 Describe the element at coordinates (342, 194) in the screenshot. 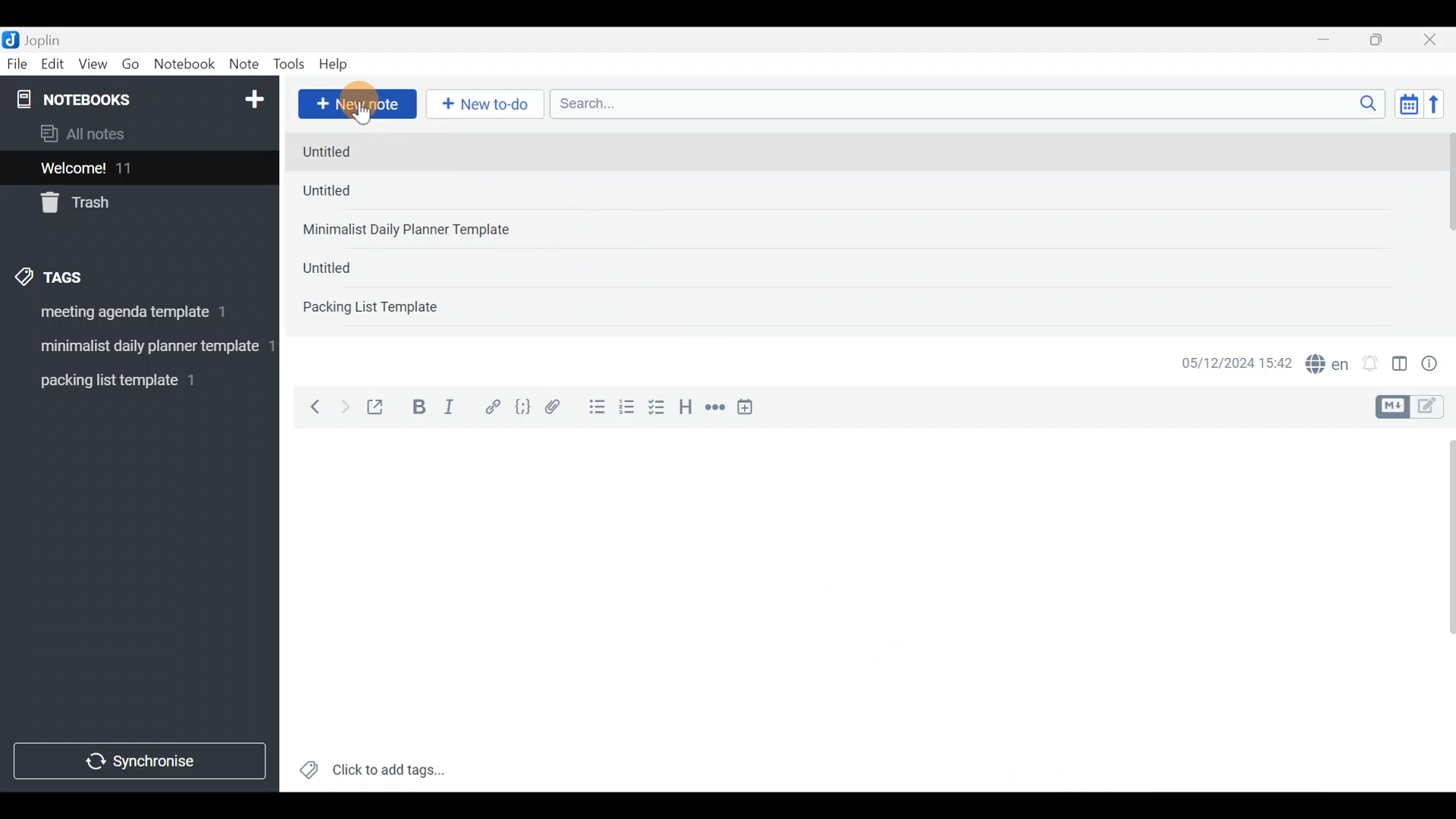

I see `Untitled` at that location.